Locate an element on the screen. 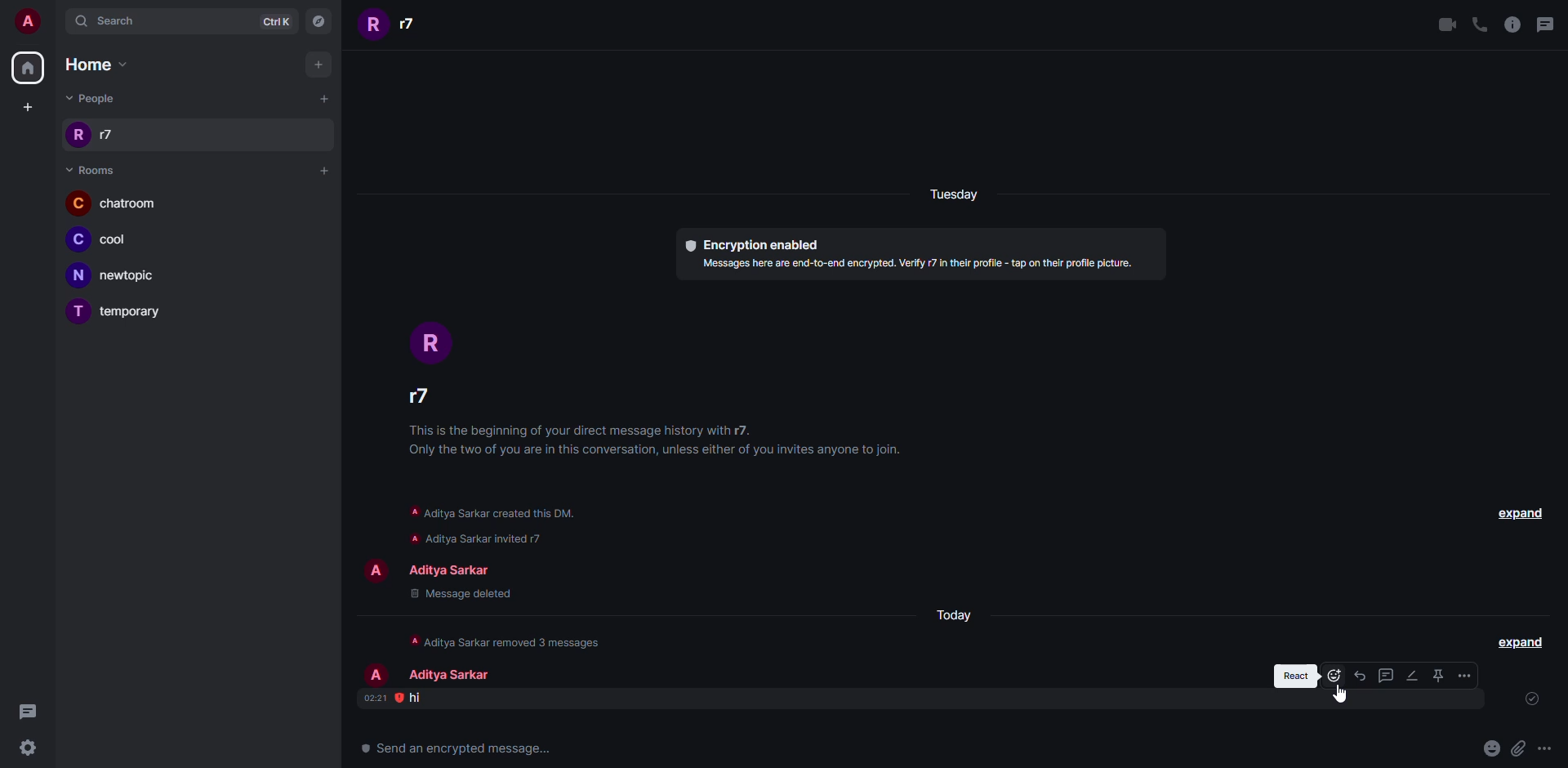 This screenshot has height=768, width=1568. text is located at coordinates (463, 748).